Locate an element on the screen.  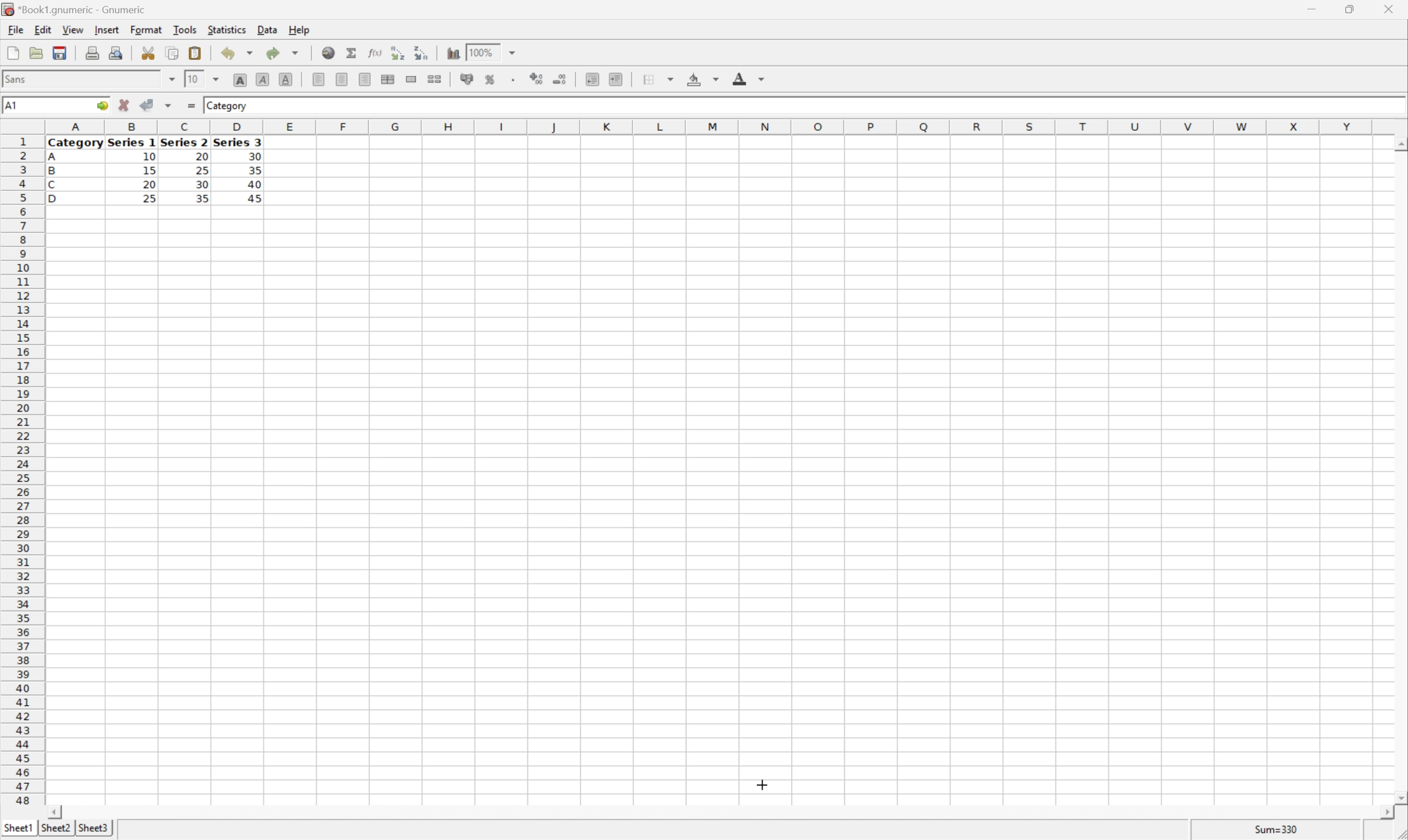
30 is located at coordinates (254, 156).